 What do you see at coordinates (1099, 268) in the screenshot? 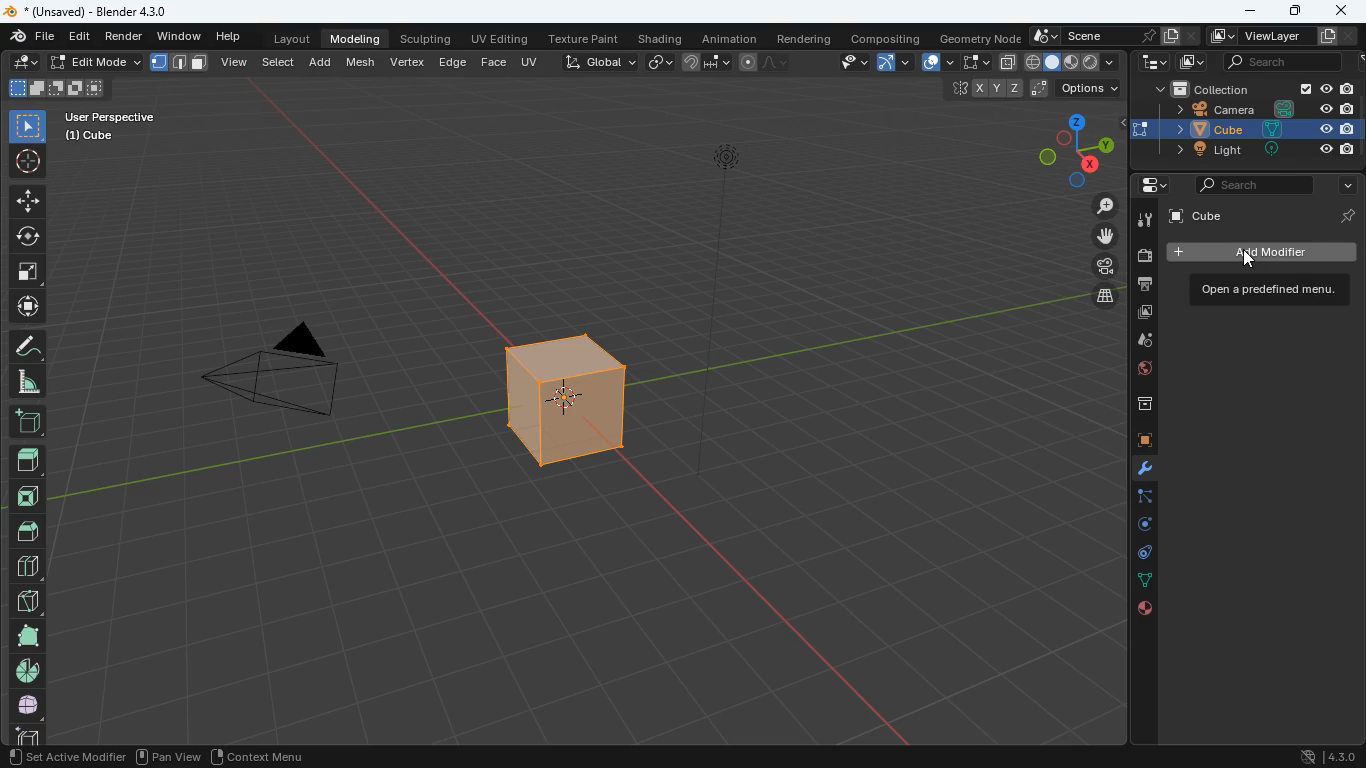
I see `film` at bounding box center [1099, 268].